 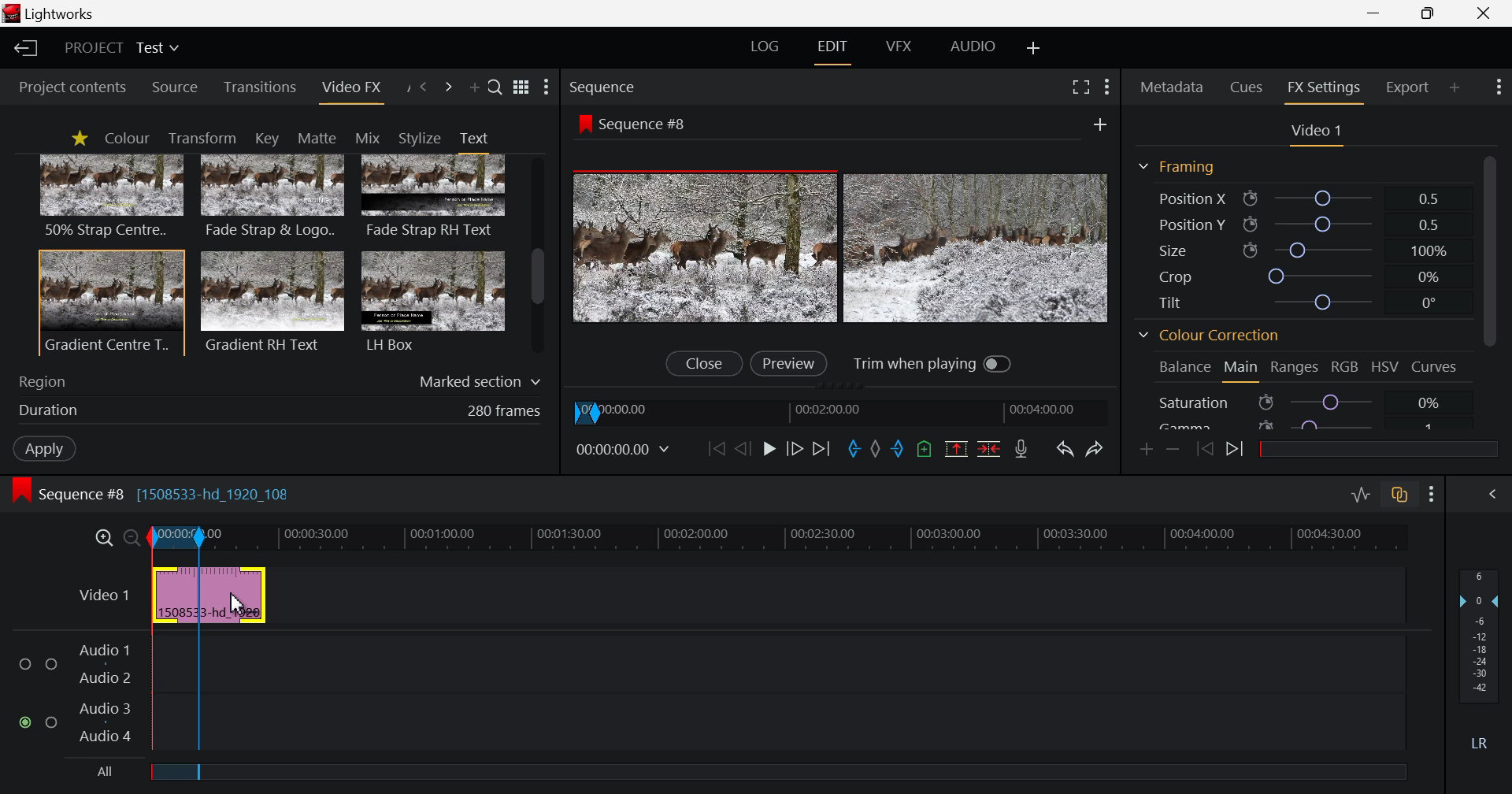 I want to click on Saturation, so click(x=1298, y=402).